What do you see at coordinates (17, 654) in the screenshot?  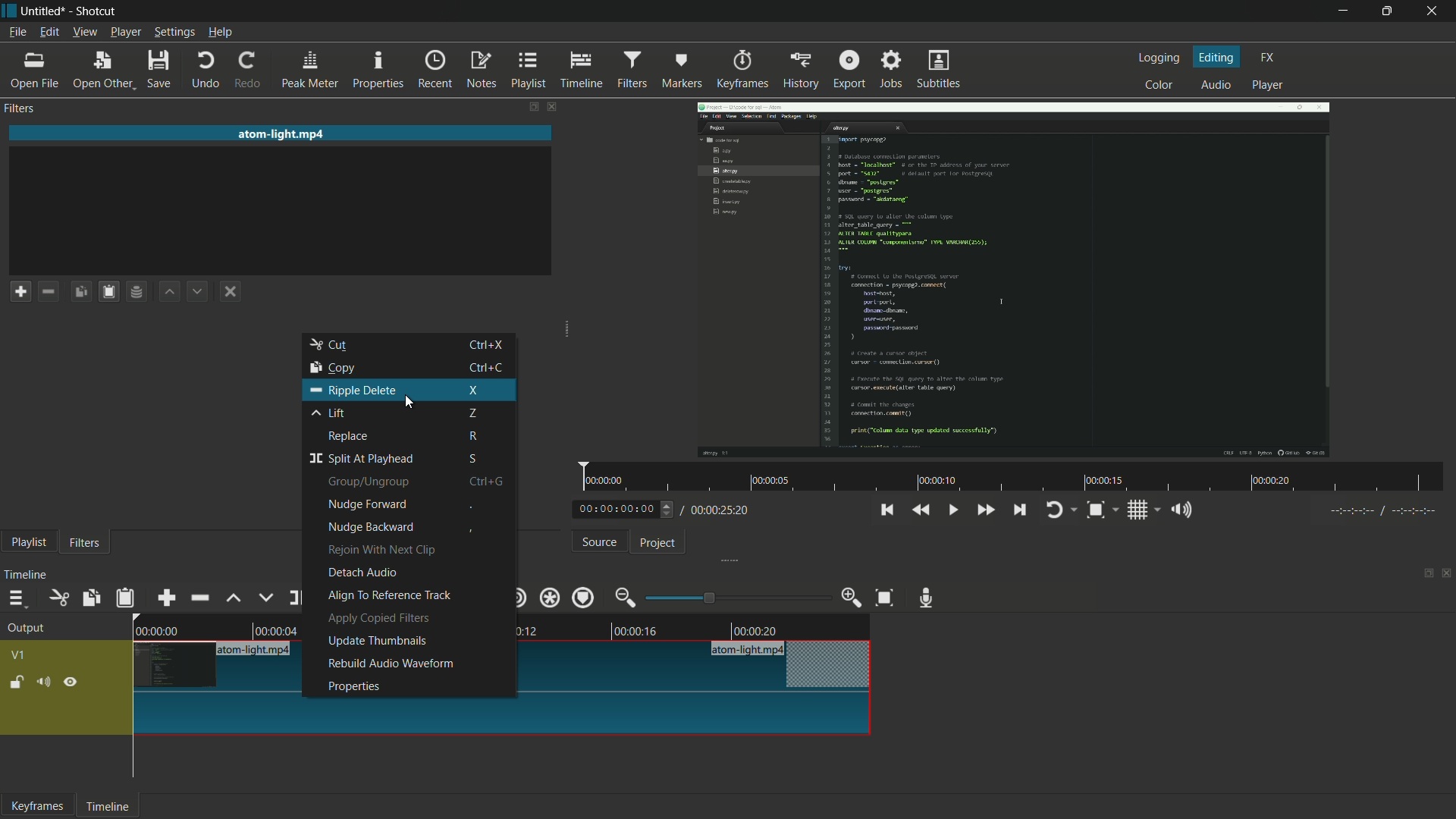 I see `v1` at bounding box center [17, 654].